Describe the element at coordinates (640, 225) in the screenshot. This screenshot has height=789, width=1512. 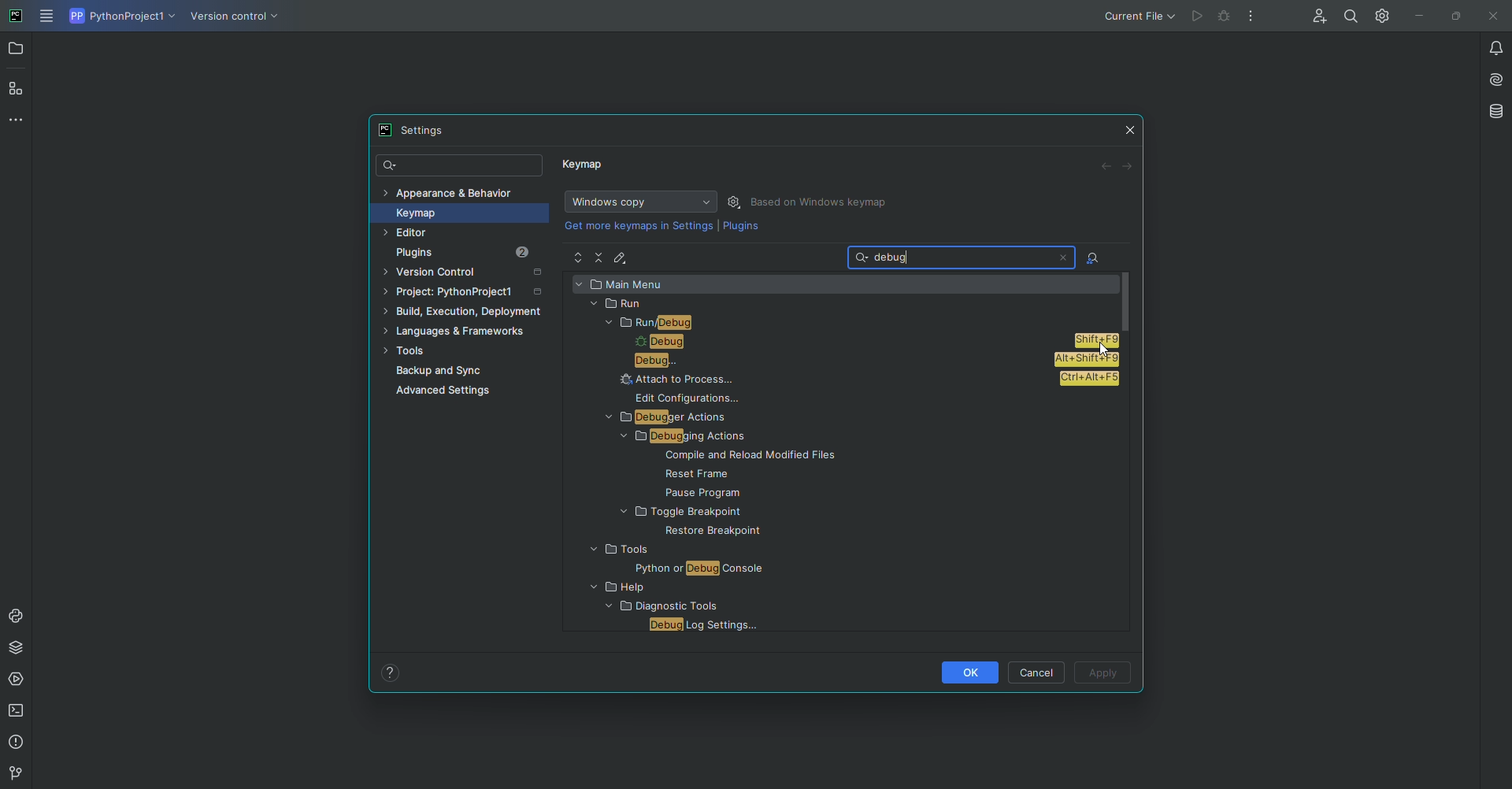
I see `get more keymaps` at that location.